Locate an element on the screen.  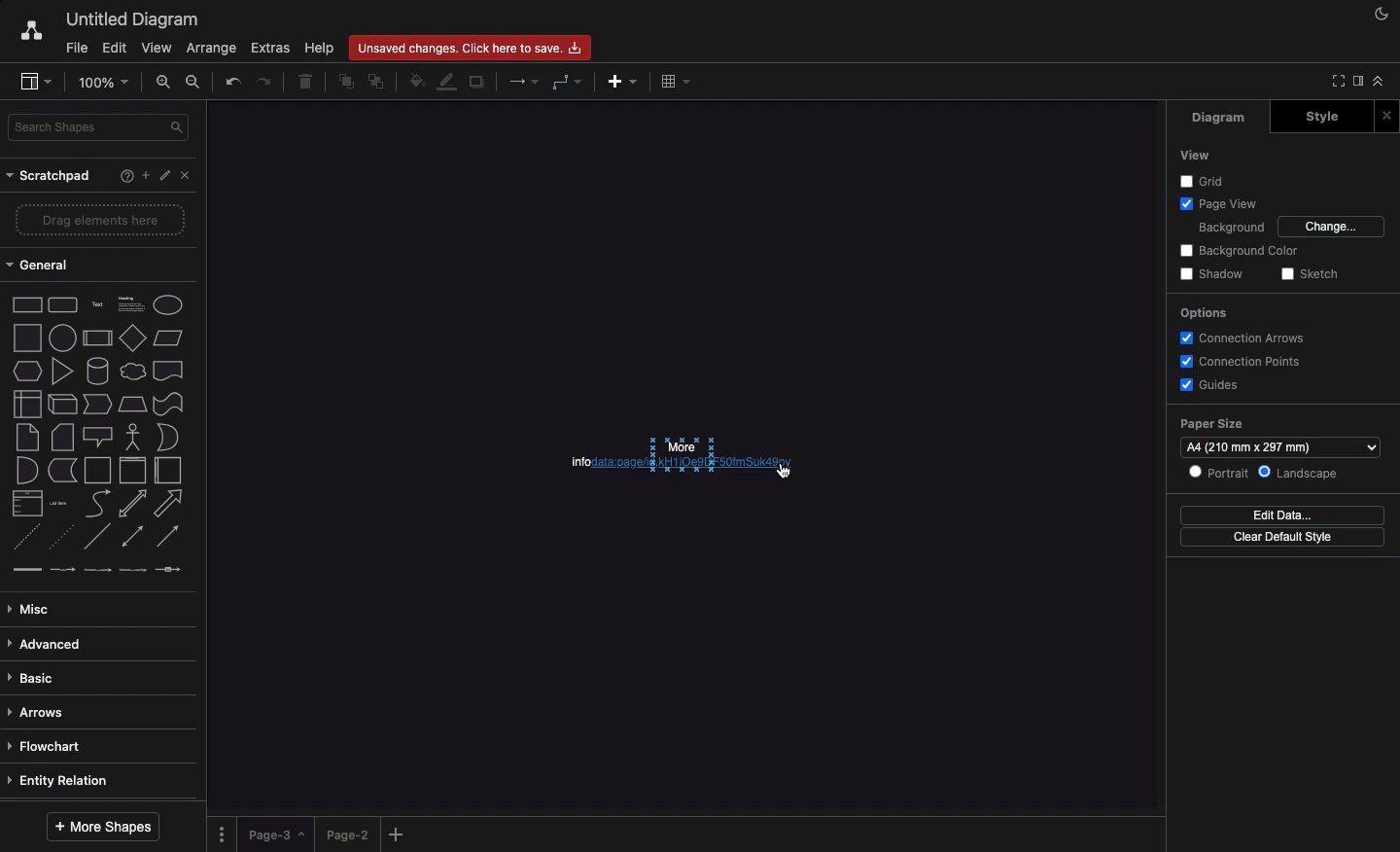
cloud is located at coordinates (133, 372).